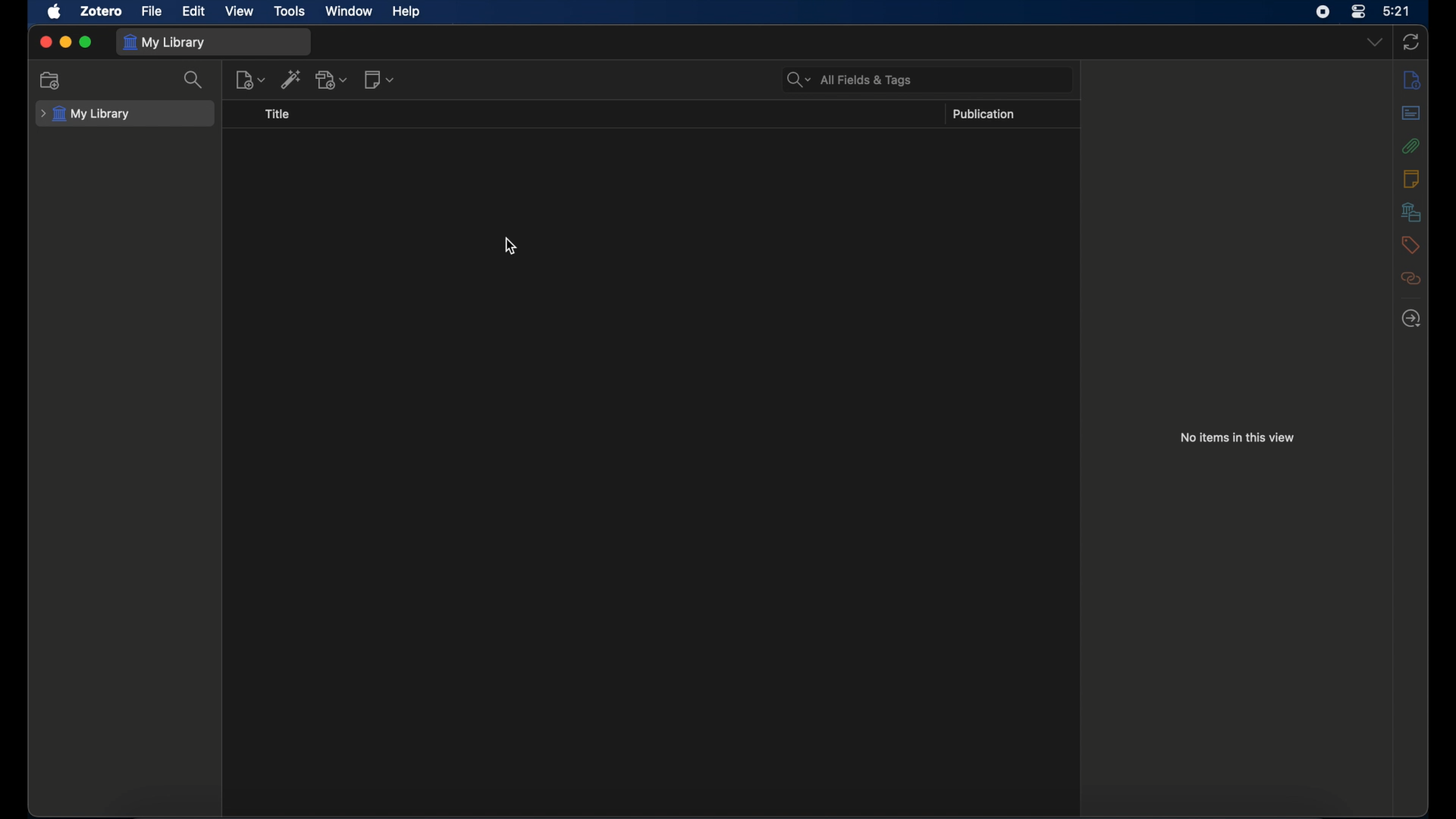 The image size is (1456, 819). Describe the element at coordinates (1410, 278) in the screenshot. I see `related` at that location.